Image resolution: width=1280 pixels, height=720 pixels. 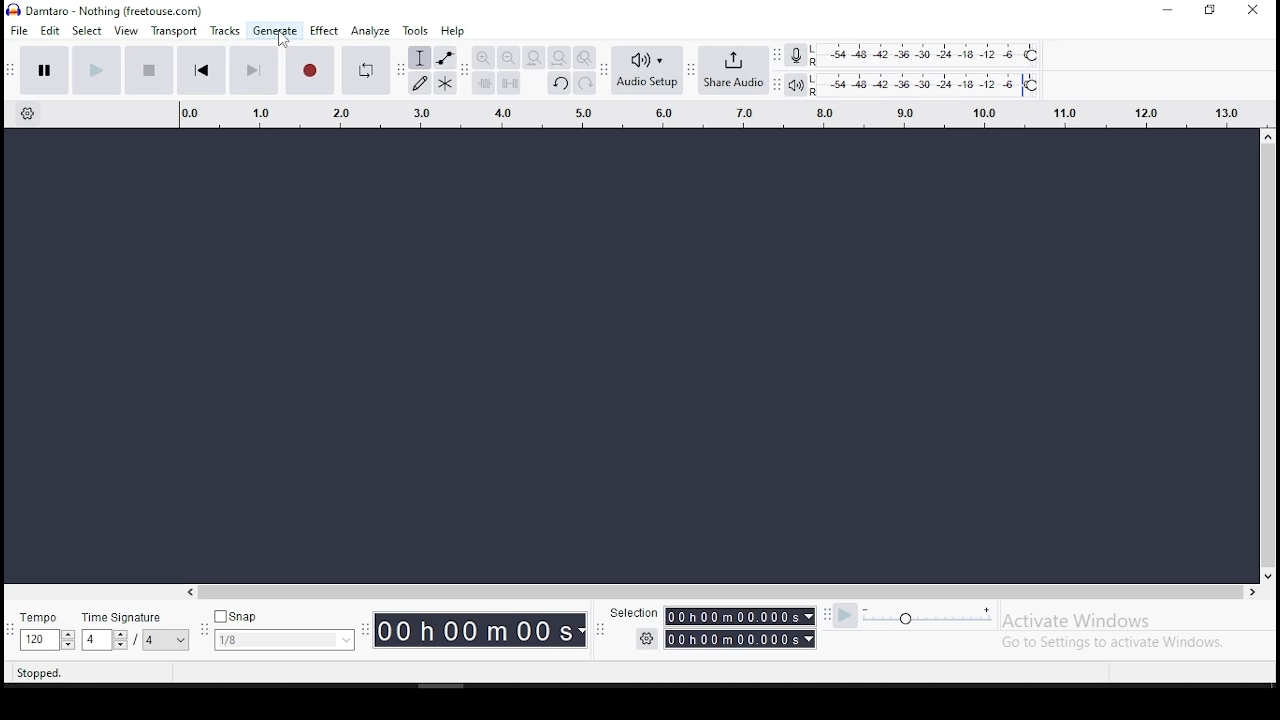 What do you see at coordinates (420, 57) in the screenshot?
I see `selection tool` at bounding box center [420, 57].